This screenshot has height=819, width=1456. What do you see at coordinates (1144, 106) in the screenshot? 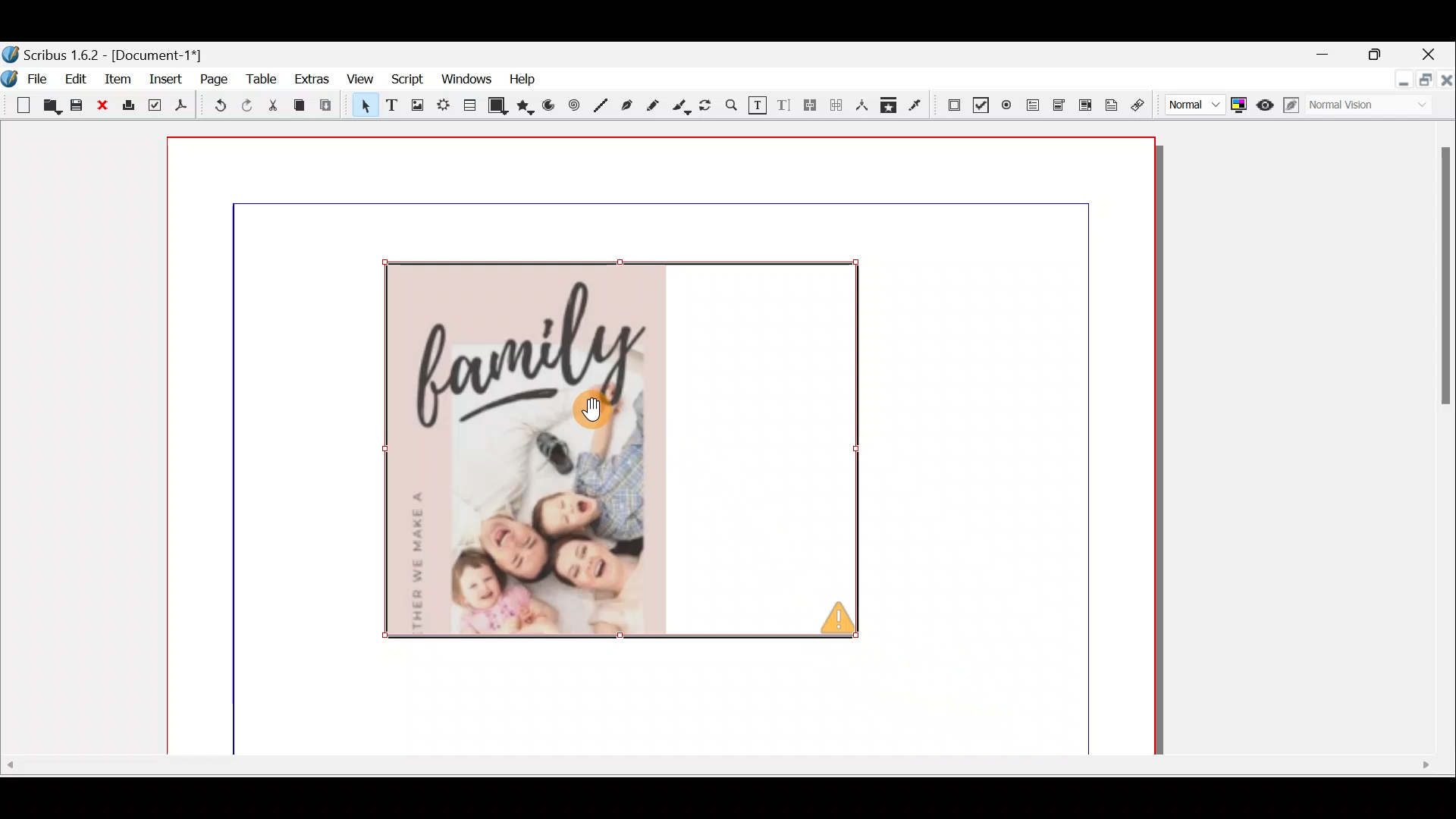
I see `Link annotation` at bounding box center [1144, 106].